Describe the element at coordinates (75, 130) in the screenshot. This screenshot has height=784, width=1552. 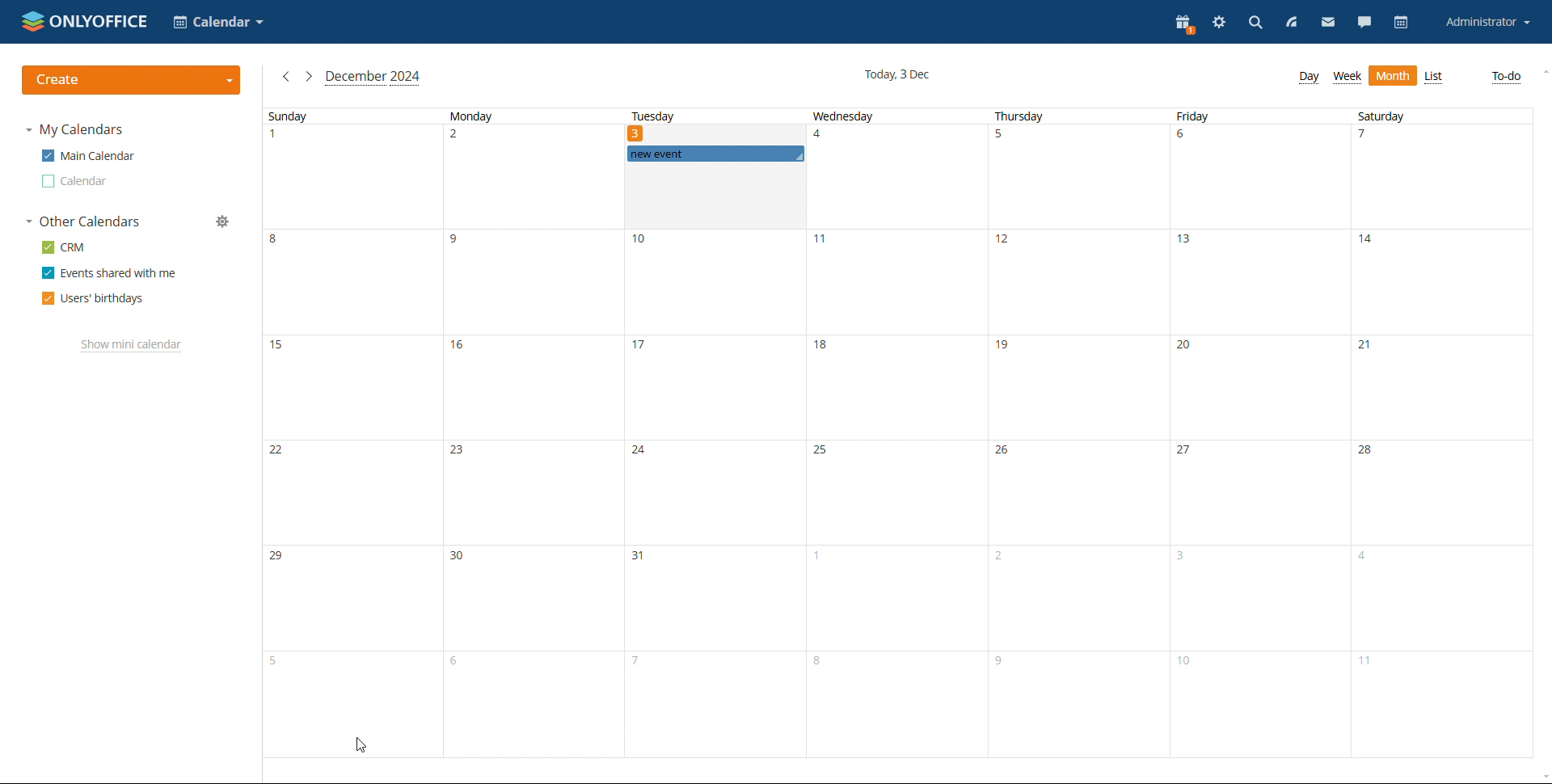
I see `my calendars` at that location.